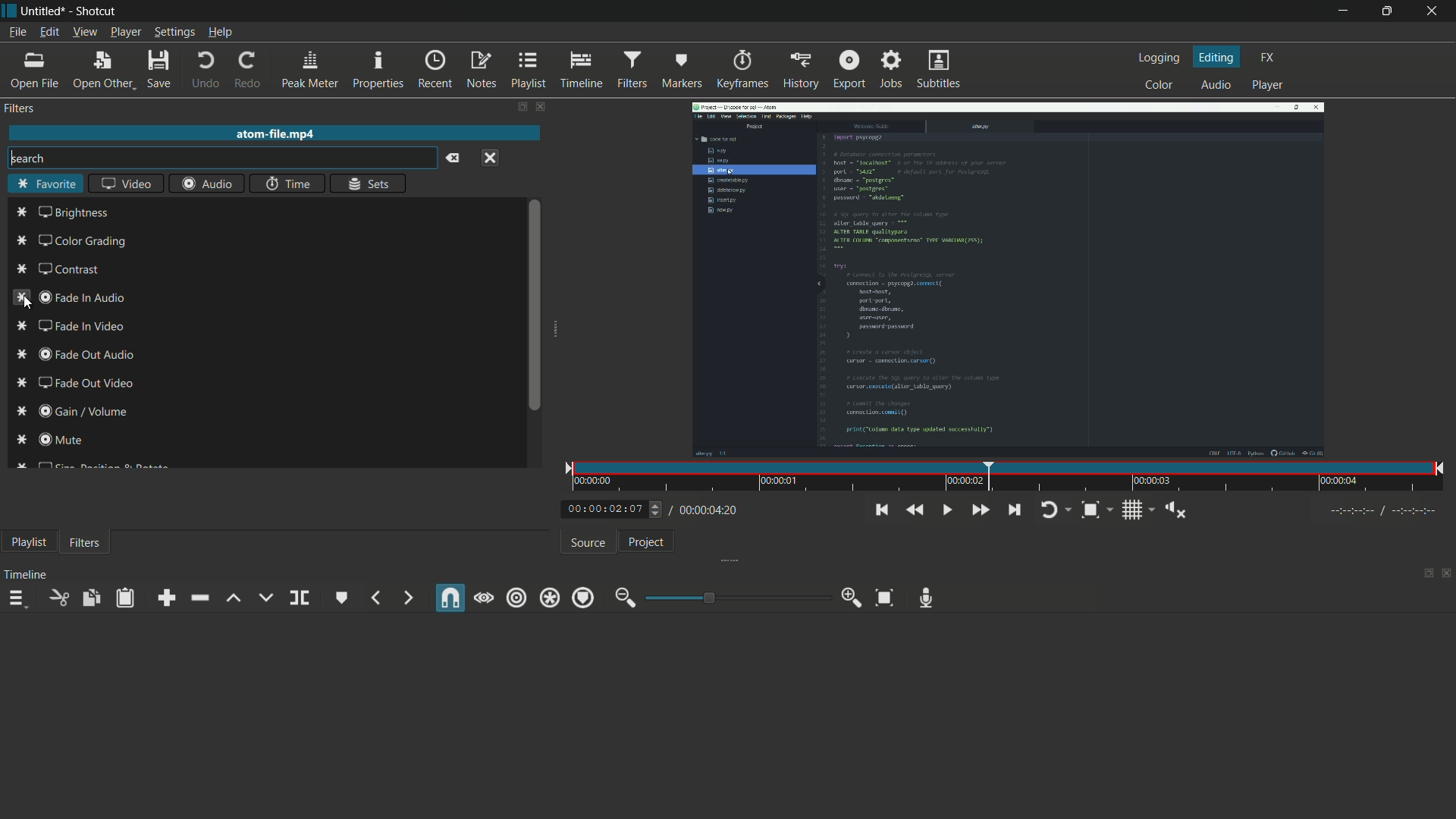  What do you see at coordinates (1219, 85) in the screenshot?
I see `audio` at bounding box center [1219, 85].